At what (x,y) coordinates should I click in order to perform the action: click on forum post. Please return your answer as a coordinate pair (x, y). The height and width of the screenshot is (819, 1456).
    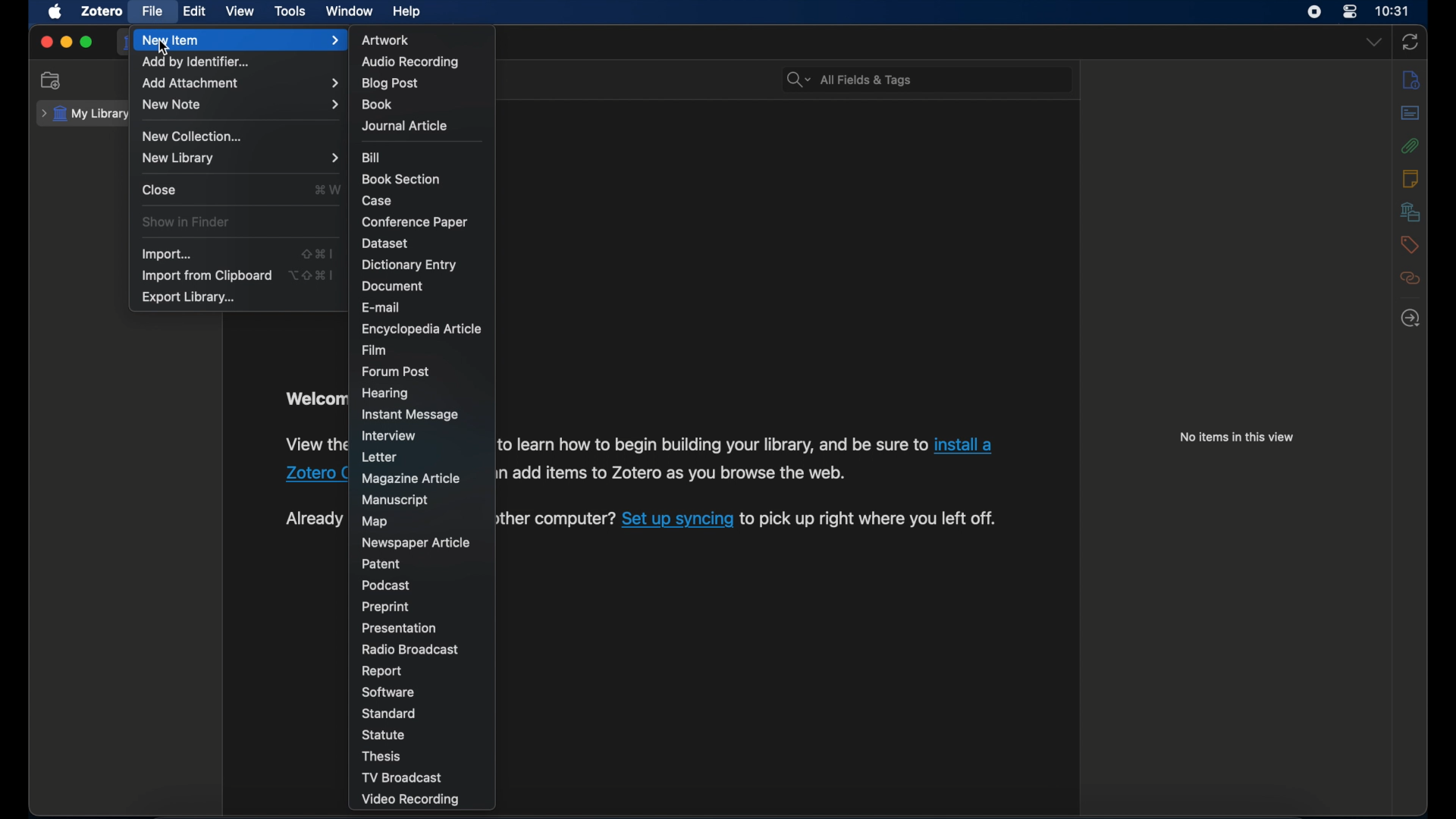
    Looking at the image, I should click on (396, 372).